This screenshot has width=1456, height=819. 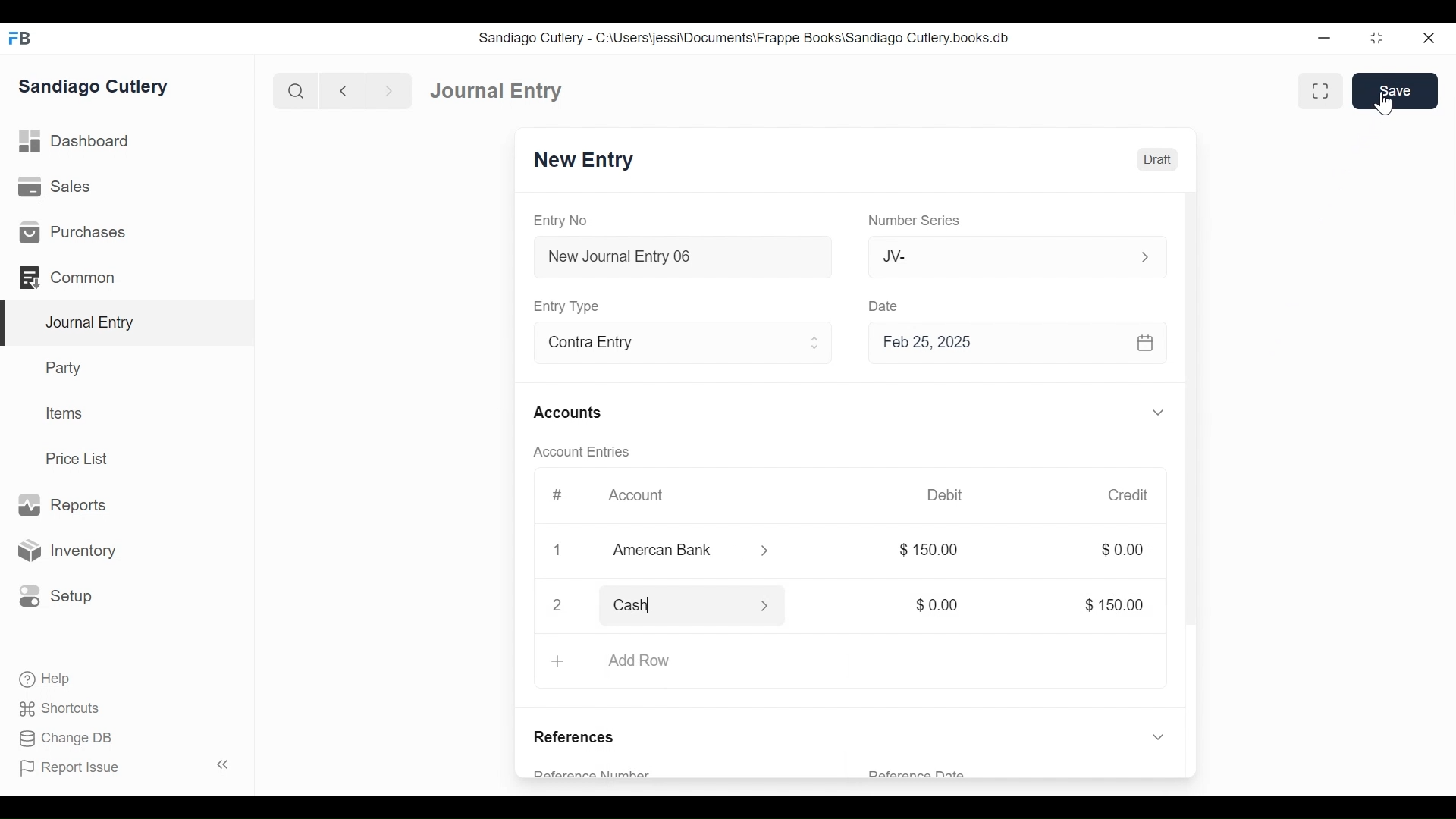 I want to click on close, so click(x=558, y=604).